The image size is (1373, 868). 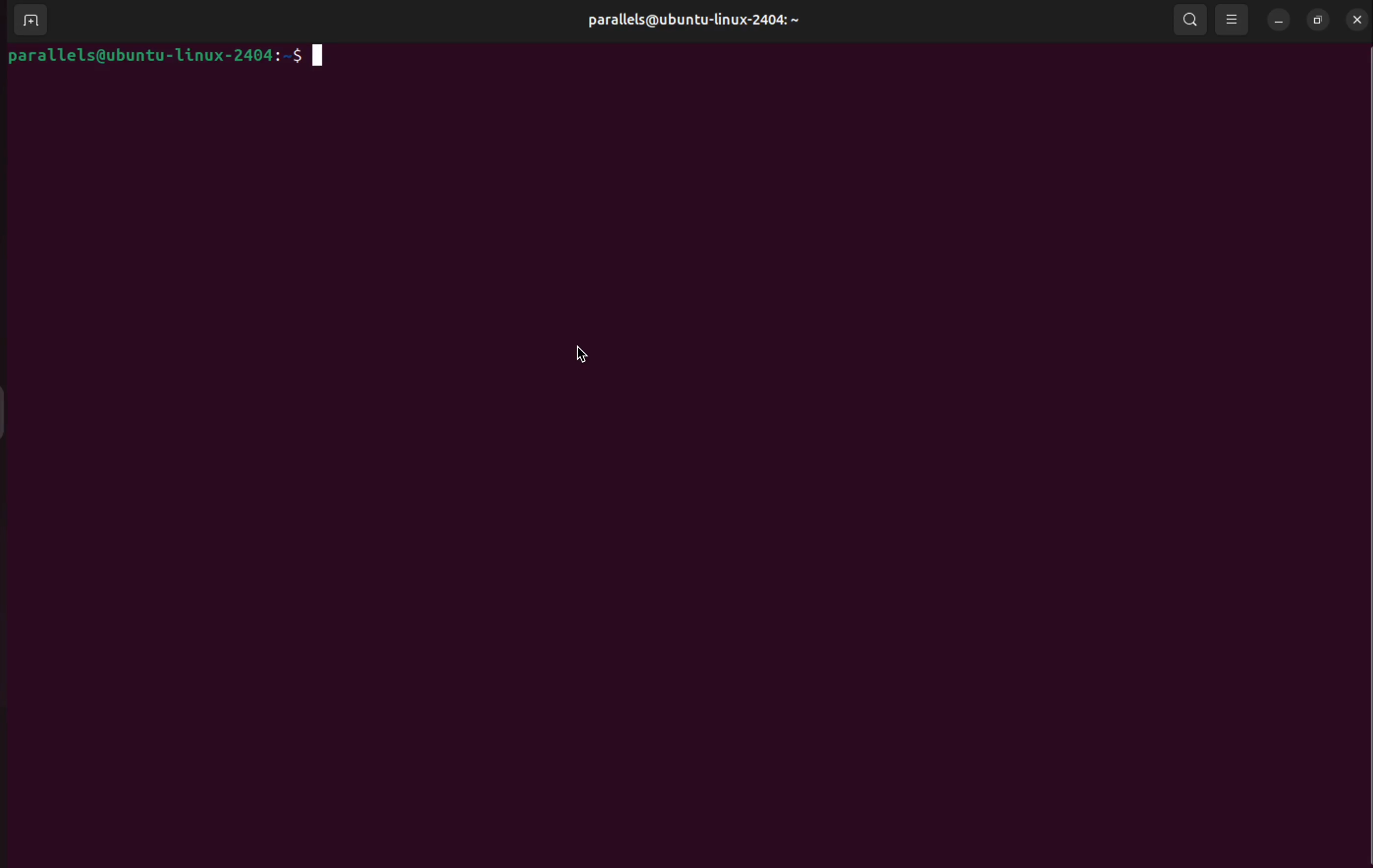 What do you see at coordinates (29, 21) in the screenshot?
I see `add terminal` at bounding box center [29, 21].